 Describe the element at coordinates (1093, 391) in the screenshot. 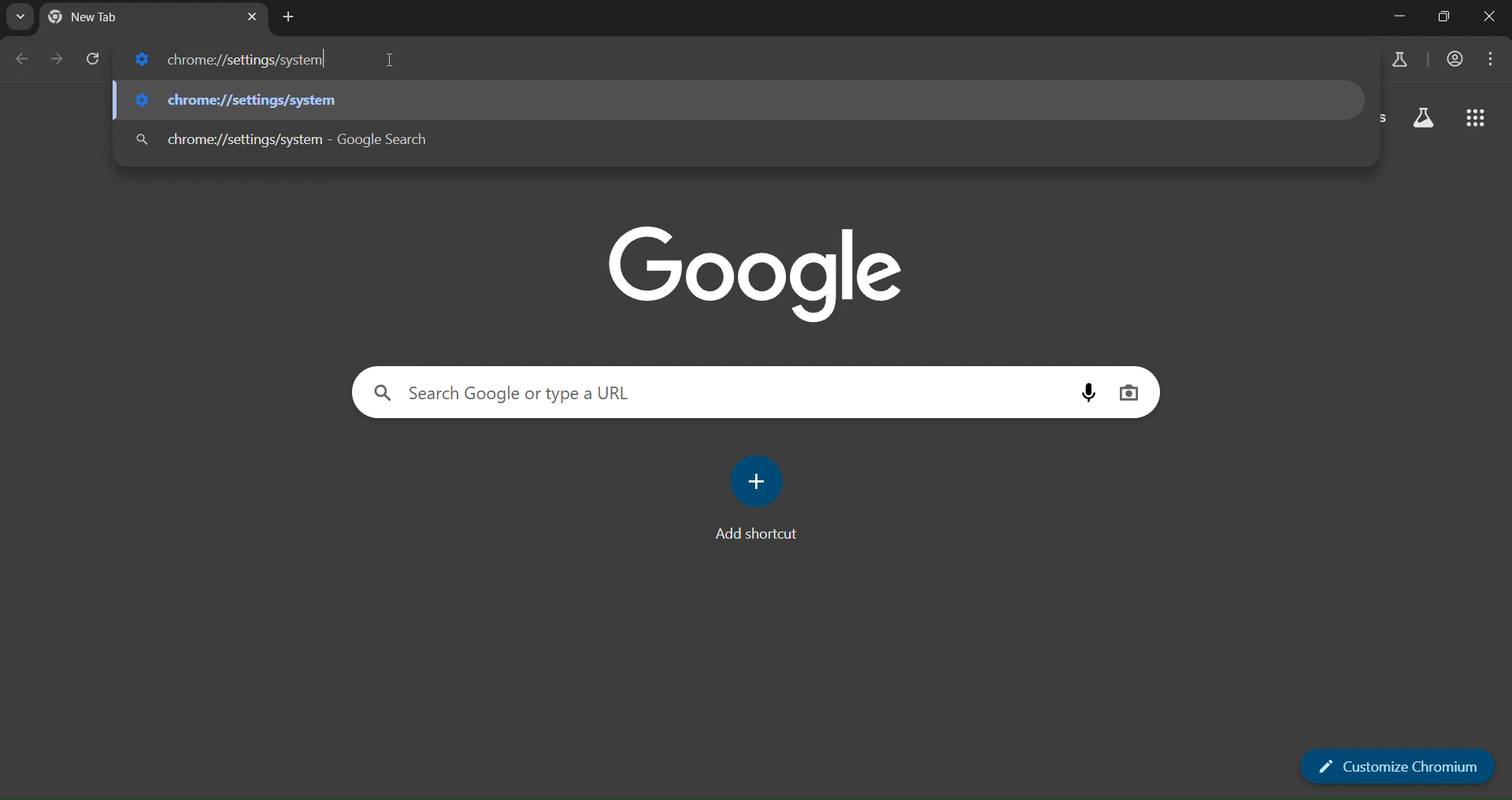

I see `voice search` at that location.